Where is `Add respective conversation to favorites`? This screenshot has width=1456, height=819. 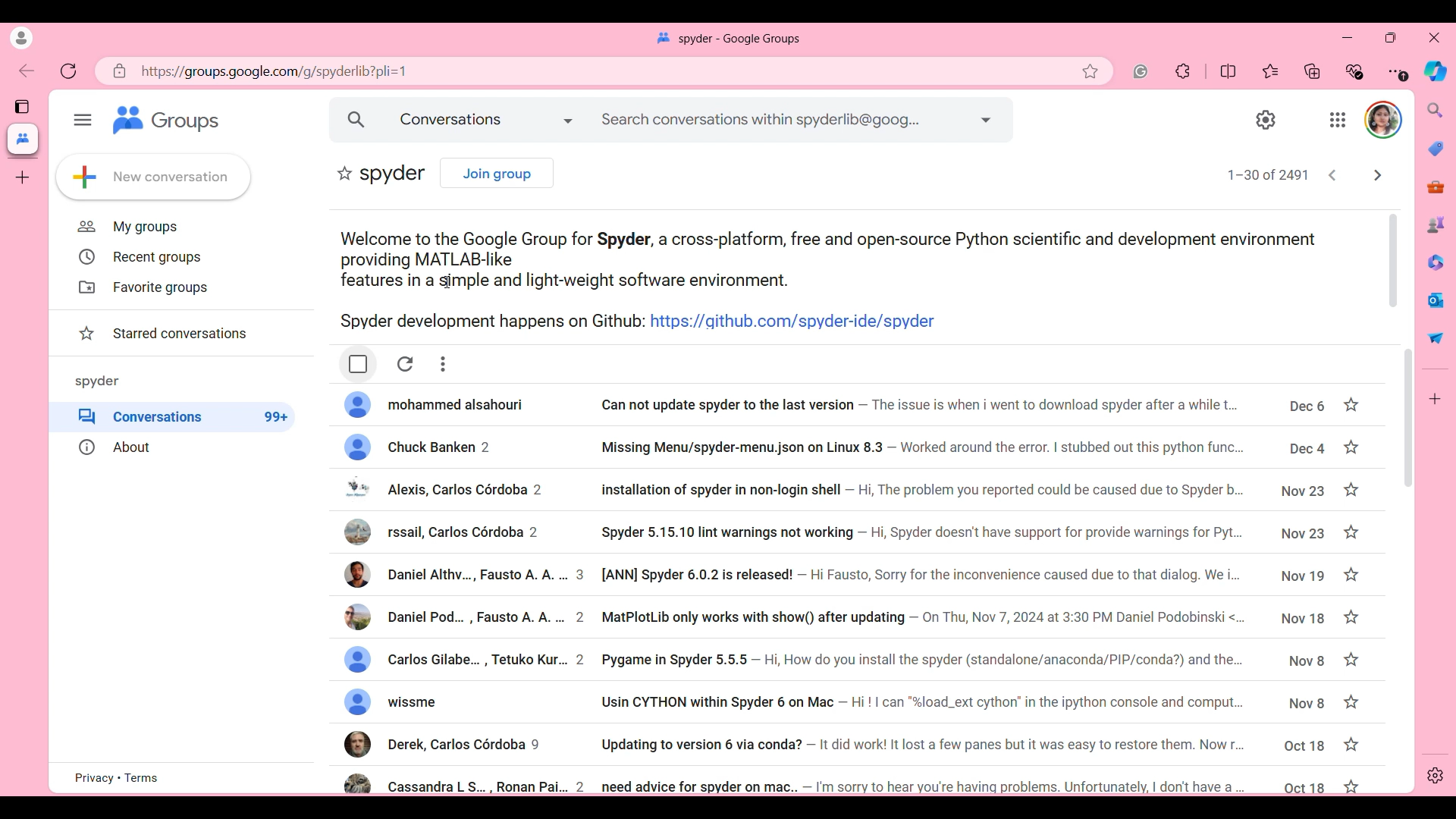 Add respective conversation to favorites is located at coordinates (1351, 595).